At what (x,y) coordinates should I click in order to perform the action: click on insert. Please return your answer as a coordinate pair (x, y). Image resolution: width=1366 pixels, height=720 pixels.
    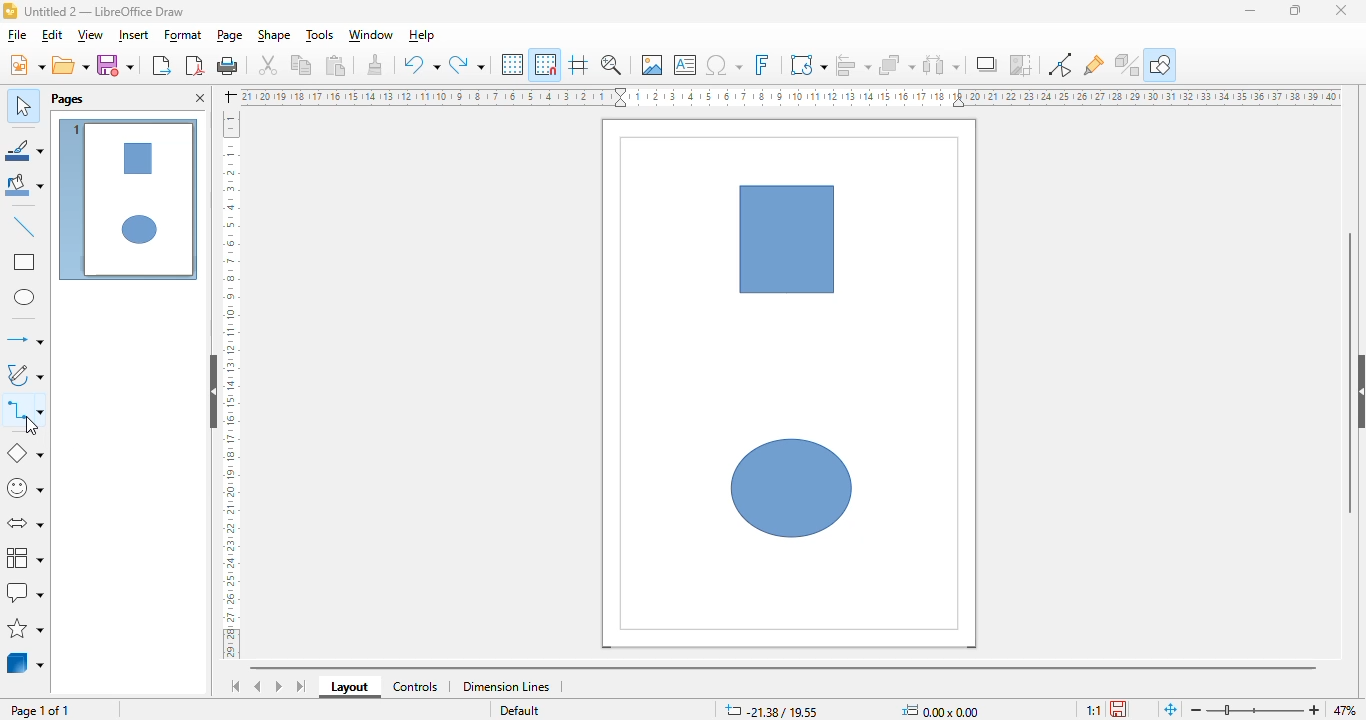
    Looking at the image, I should click on (133, 35).